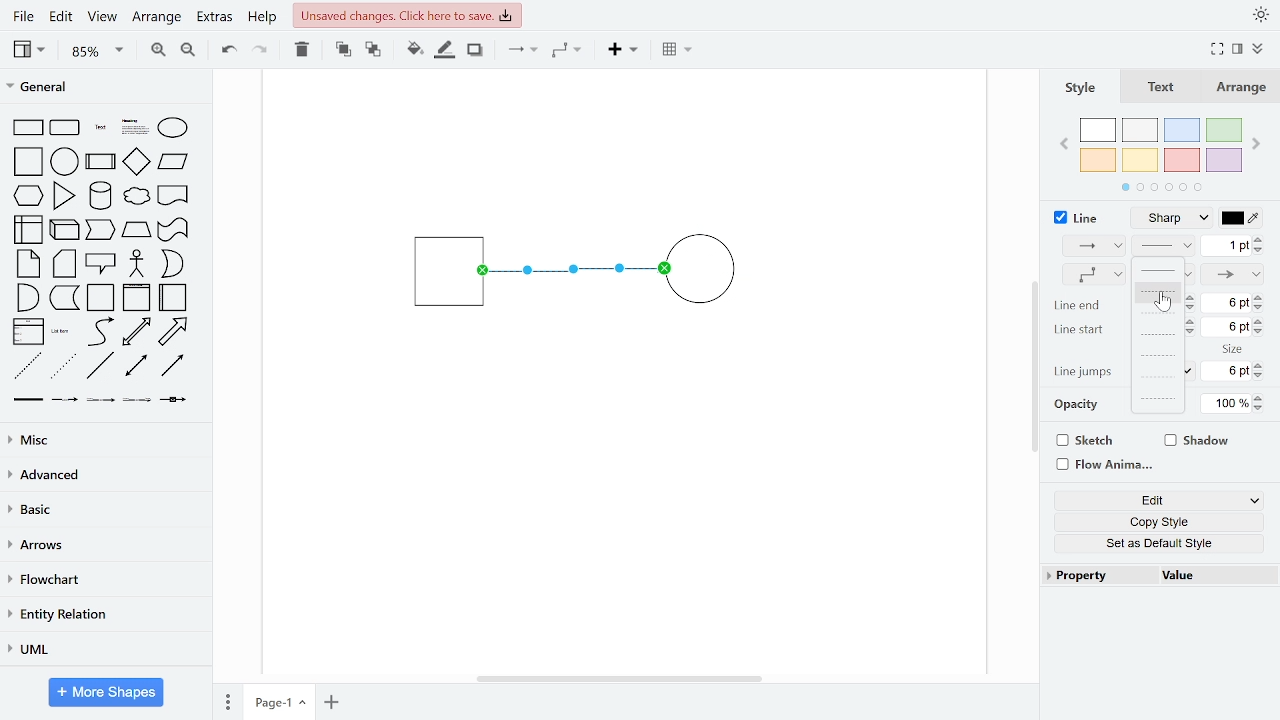  Describe the element at coordinates (1159, 543) in the screenshot. I see `set as default style` at that location.